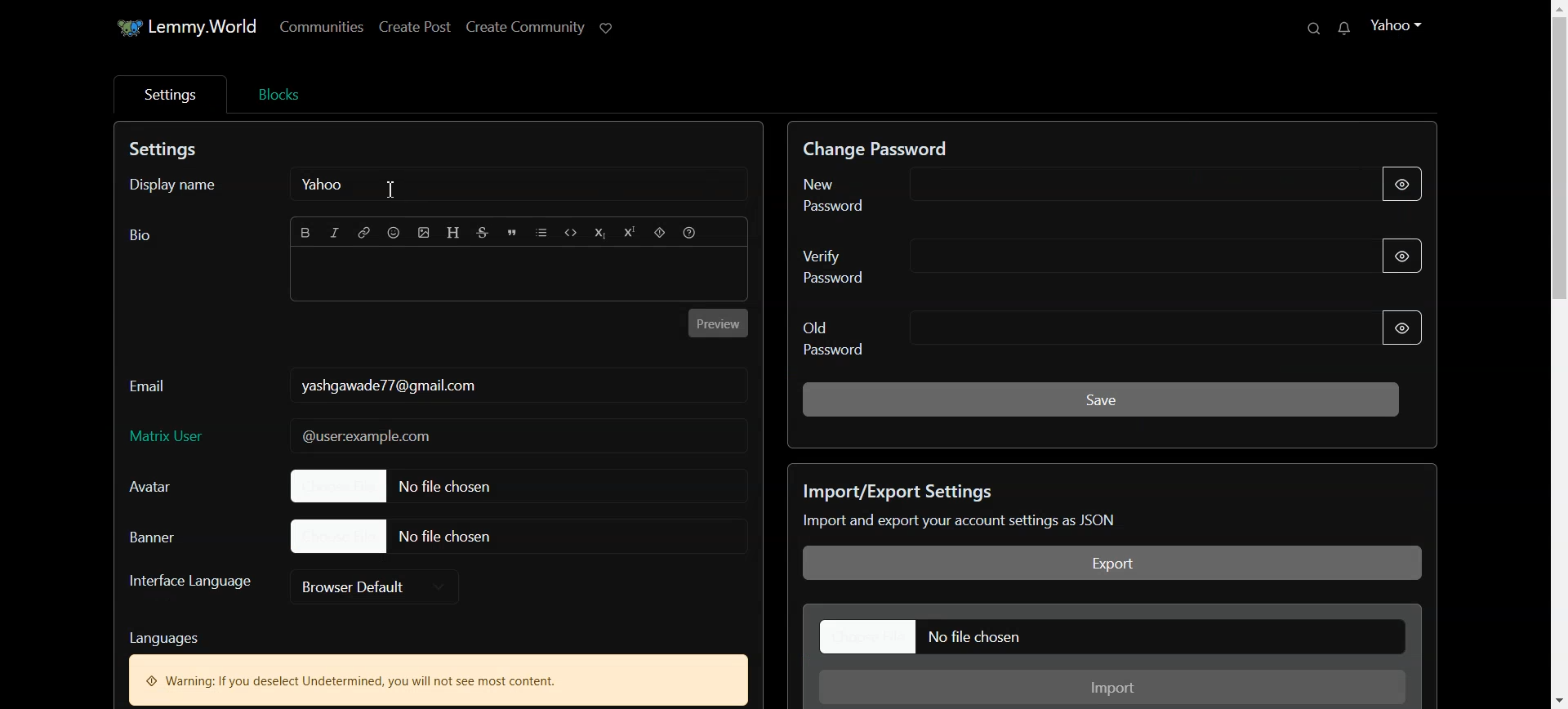 This screenshot has width=1568, height=709. Describe the element at coordinates (658, 234) in the screenshot. I see `Spoiler` at that location.